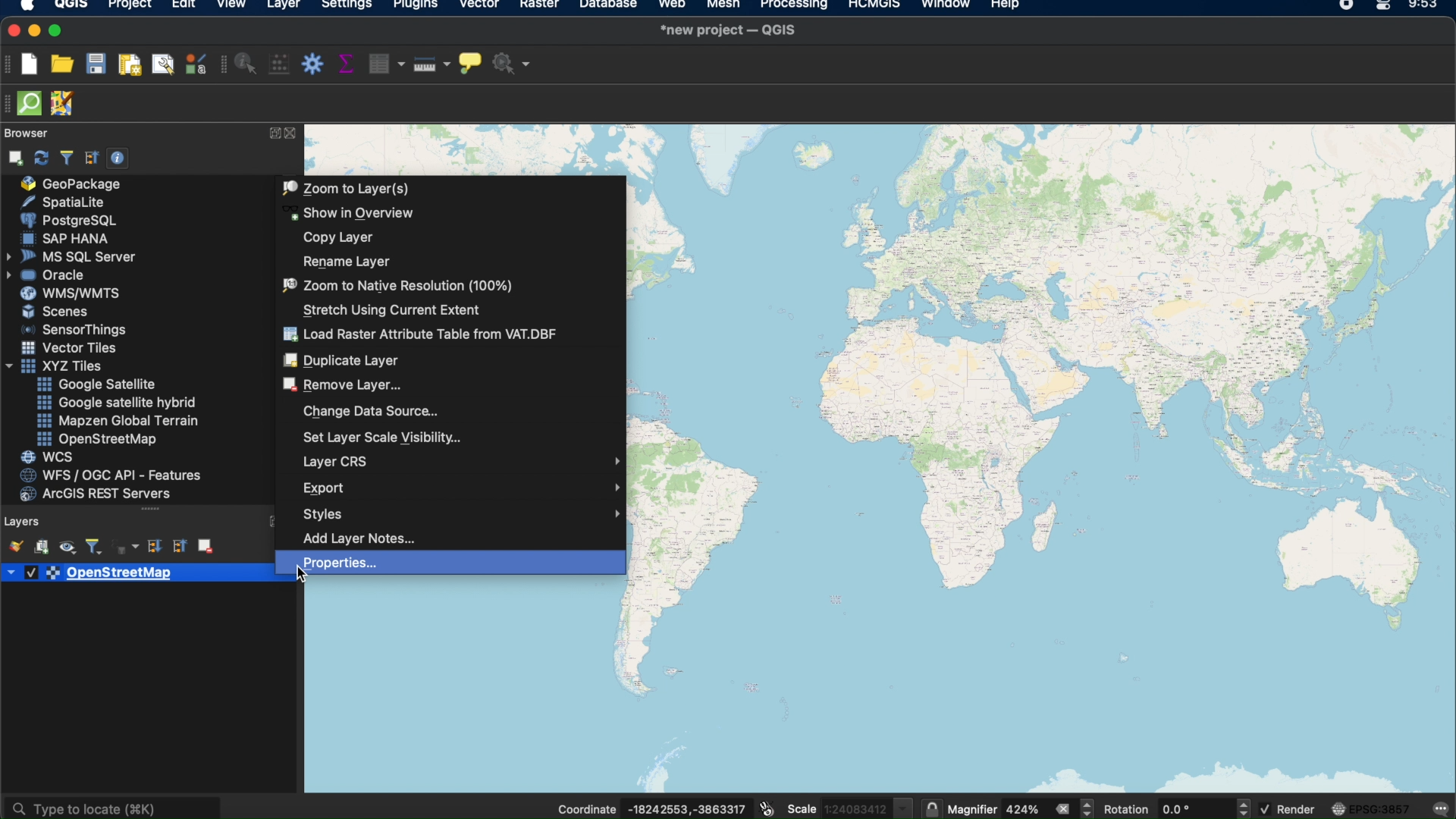 The image size is (1456, 819). Describe the element at coordinates (338, 563) in the screenshot. I see `properties` at that location.